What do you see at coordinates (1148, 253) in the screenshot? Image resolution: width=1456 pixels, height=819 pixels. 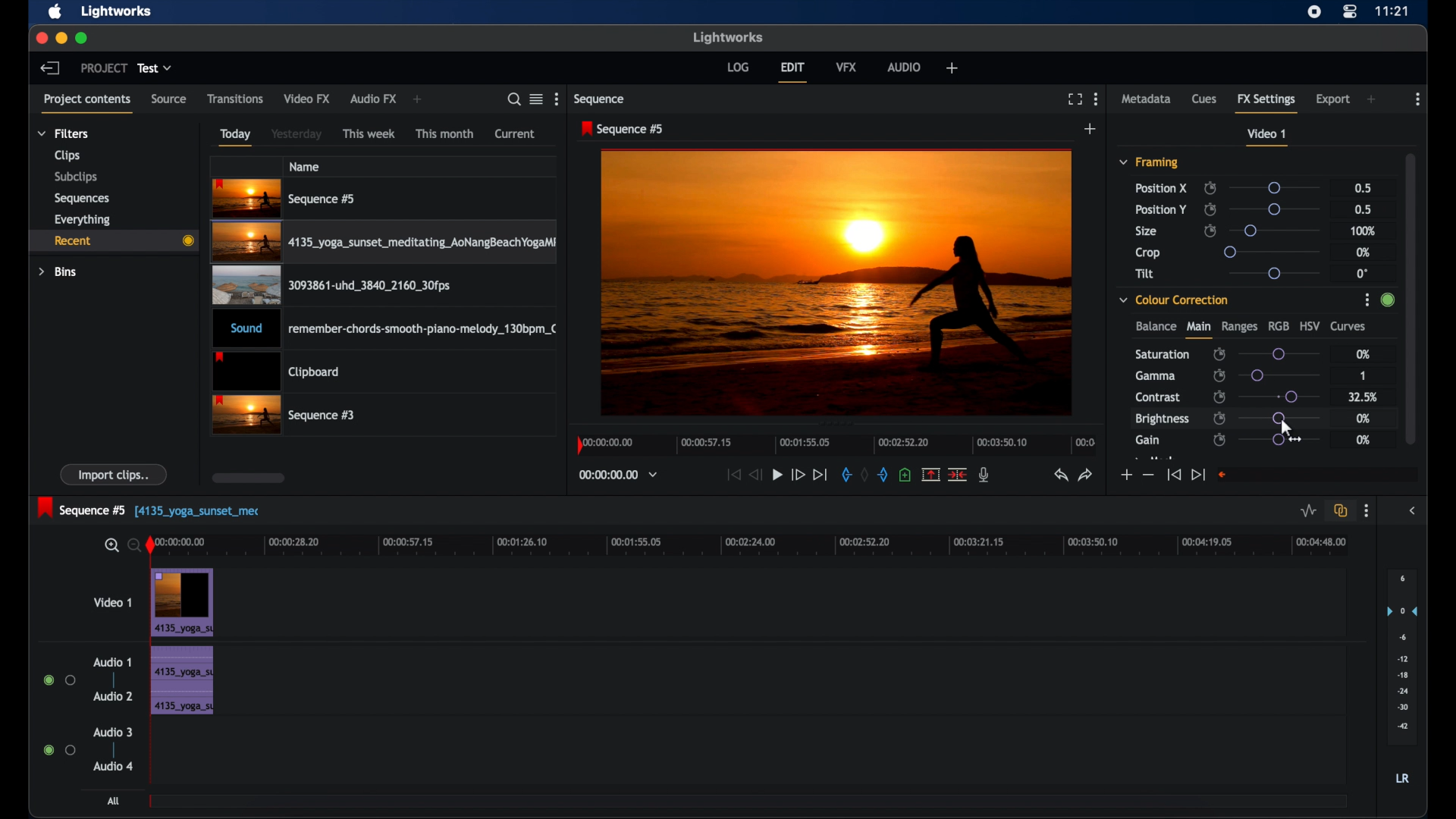 I see `crop` at bounding box center [1148, 253].